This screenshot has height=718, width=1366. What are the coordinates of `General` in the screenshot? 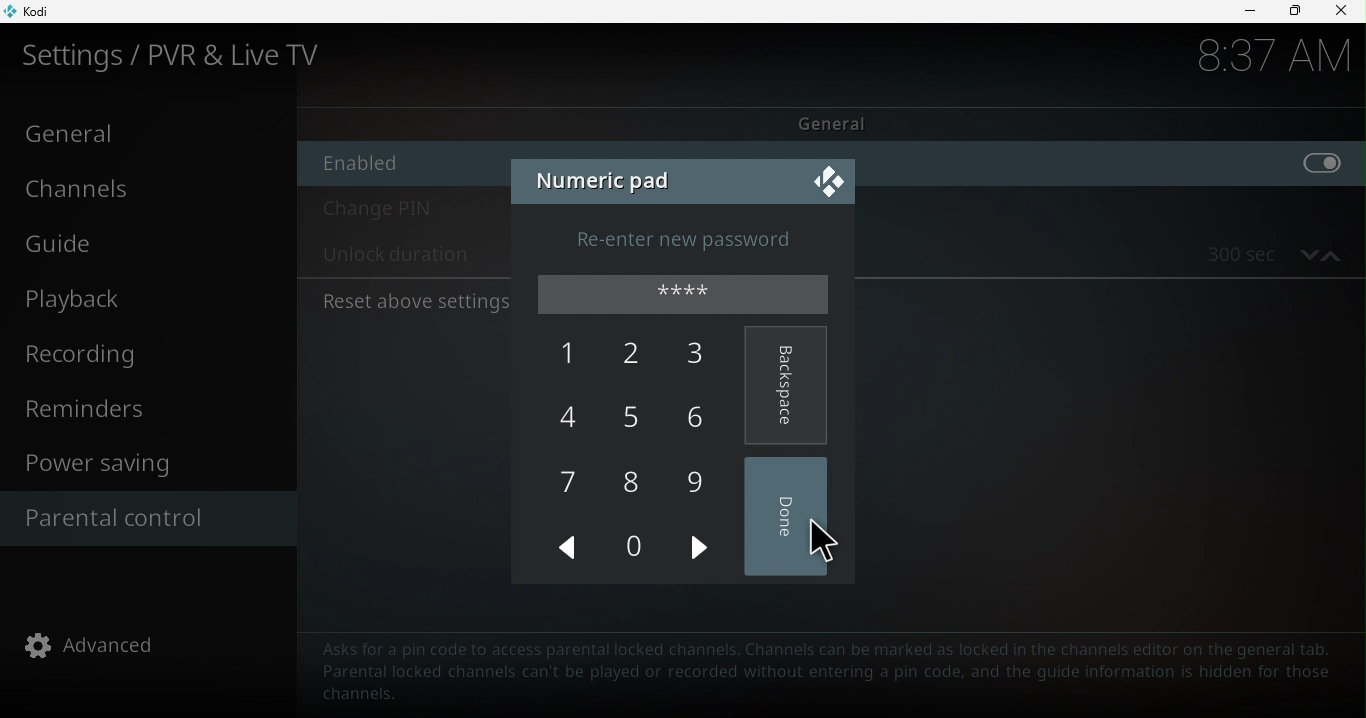 It's located at (145, 134).